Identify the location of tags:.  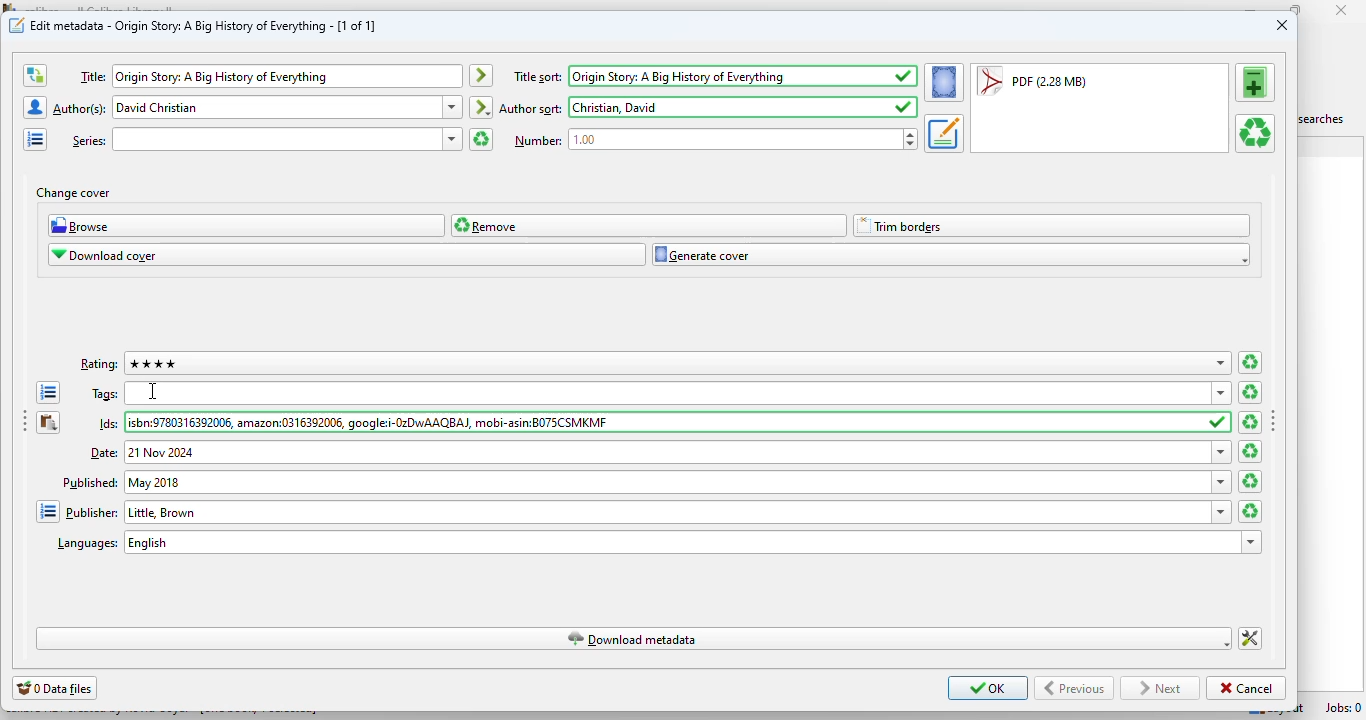
(665, 392).